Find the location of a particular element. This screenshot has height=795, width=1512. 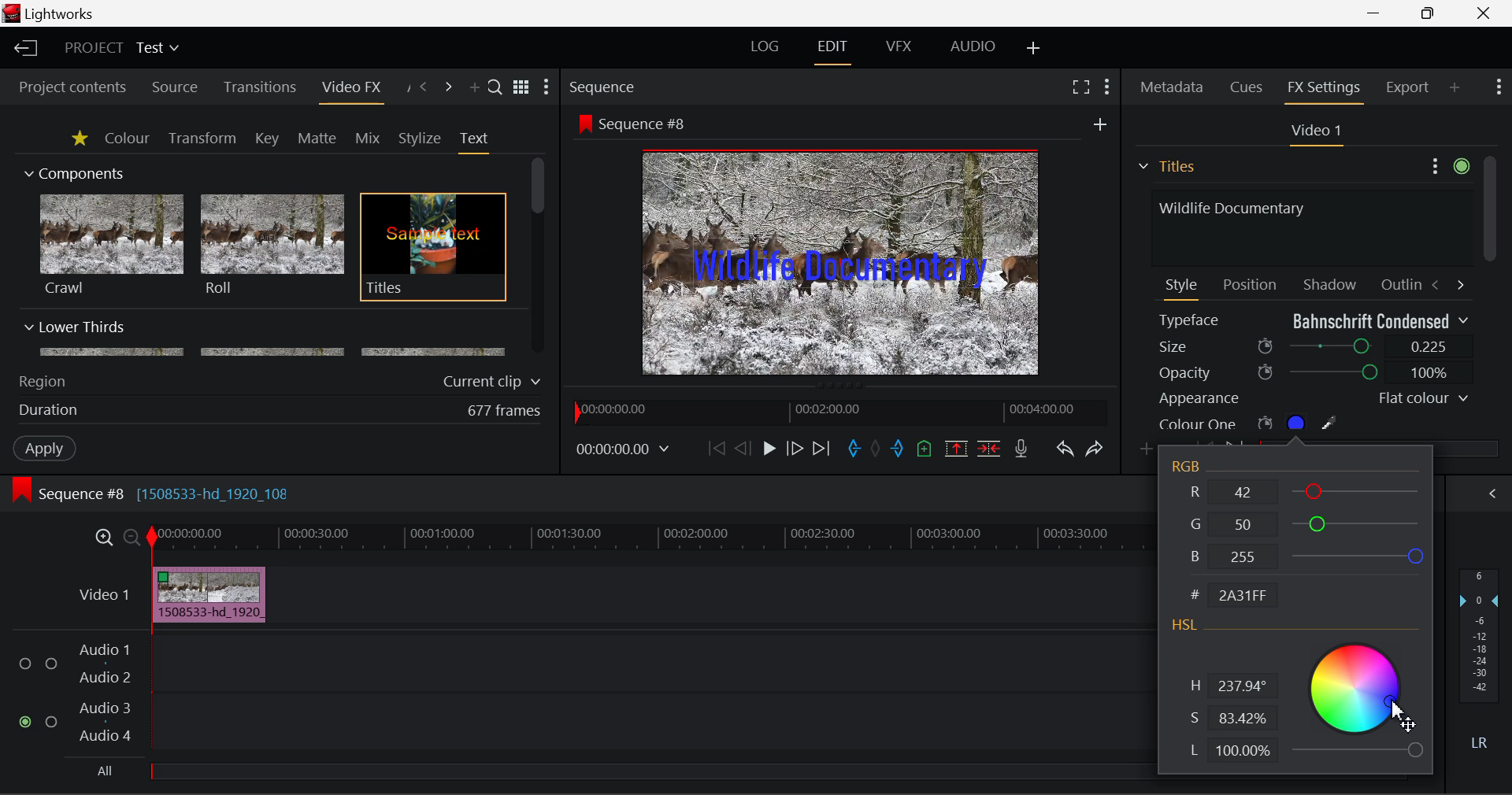

logo is located at coordinates (13, 13).